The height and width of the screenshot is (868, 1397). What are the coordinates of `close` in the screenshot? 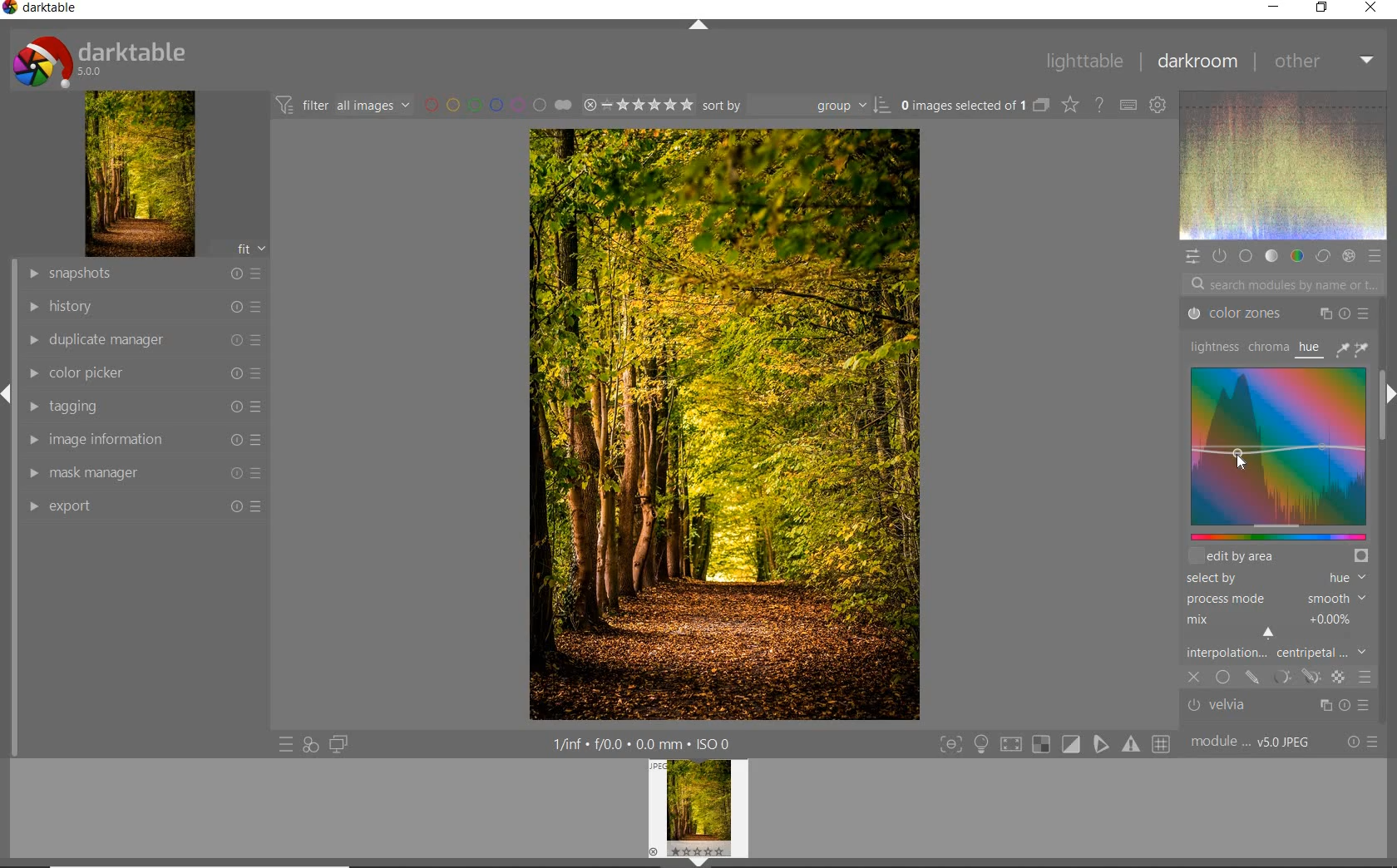 It's located at (1195, 678).